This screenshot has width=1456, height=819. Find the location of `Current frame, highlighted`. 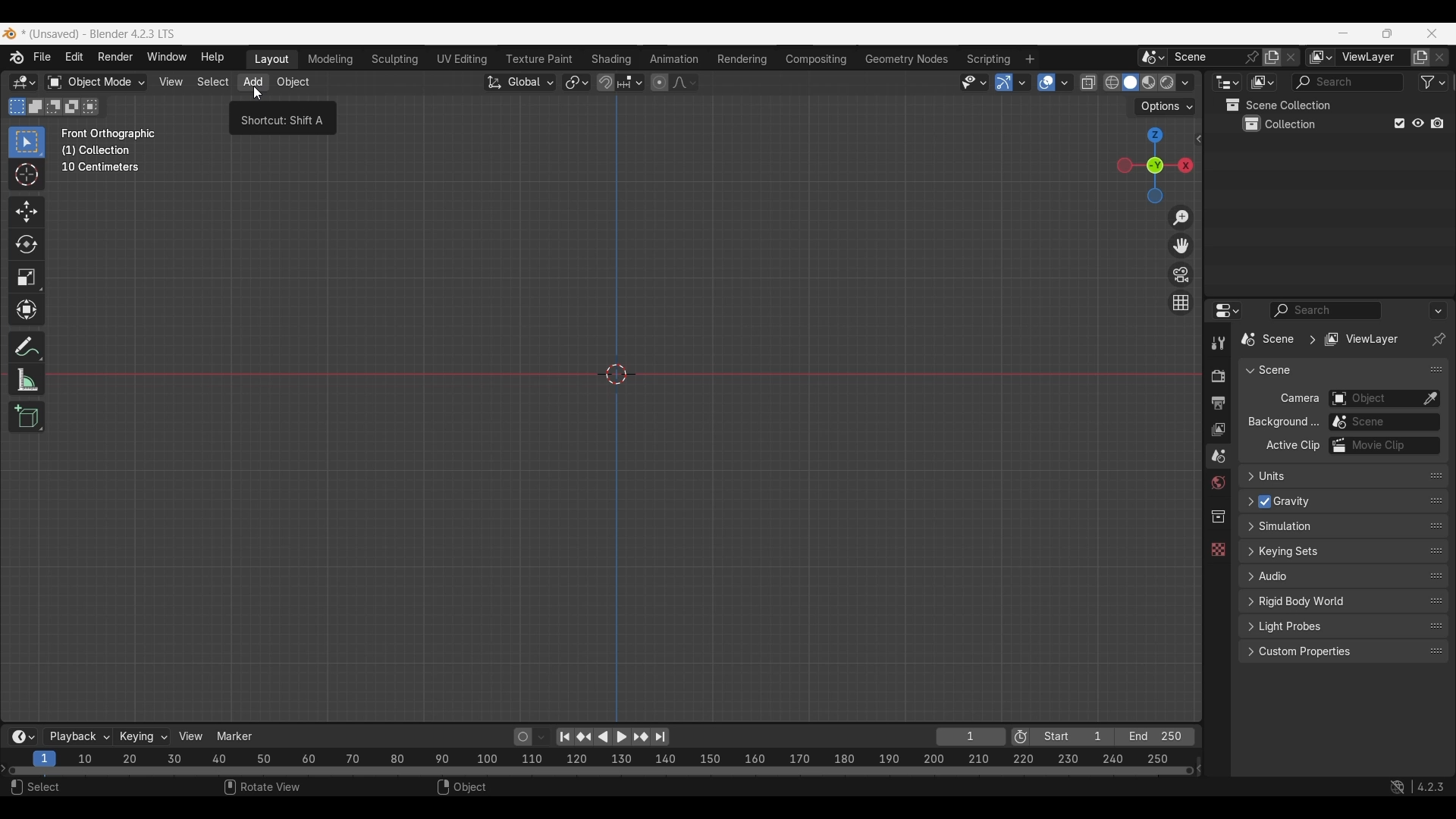

Current frame, highlighted is located at coordinates (45, 759).